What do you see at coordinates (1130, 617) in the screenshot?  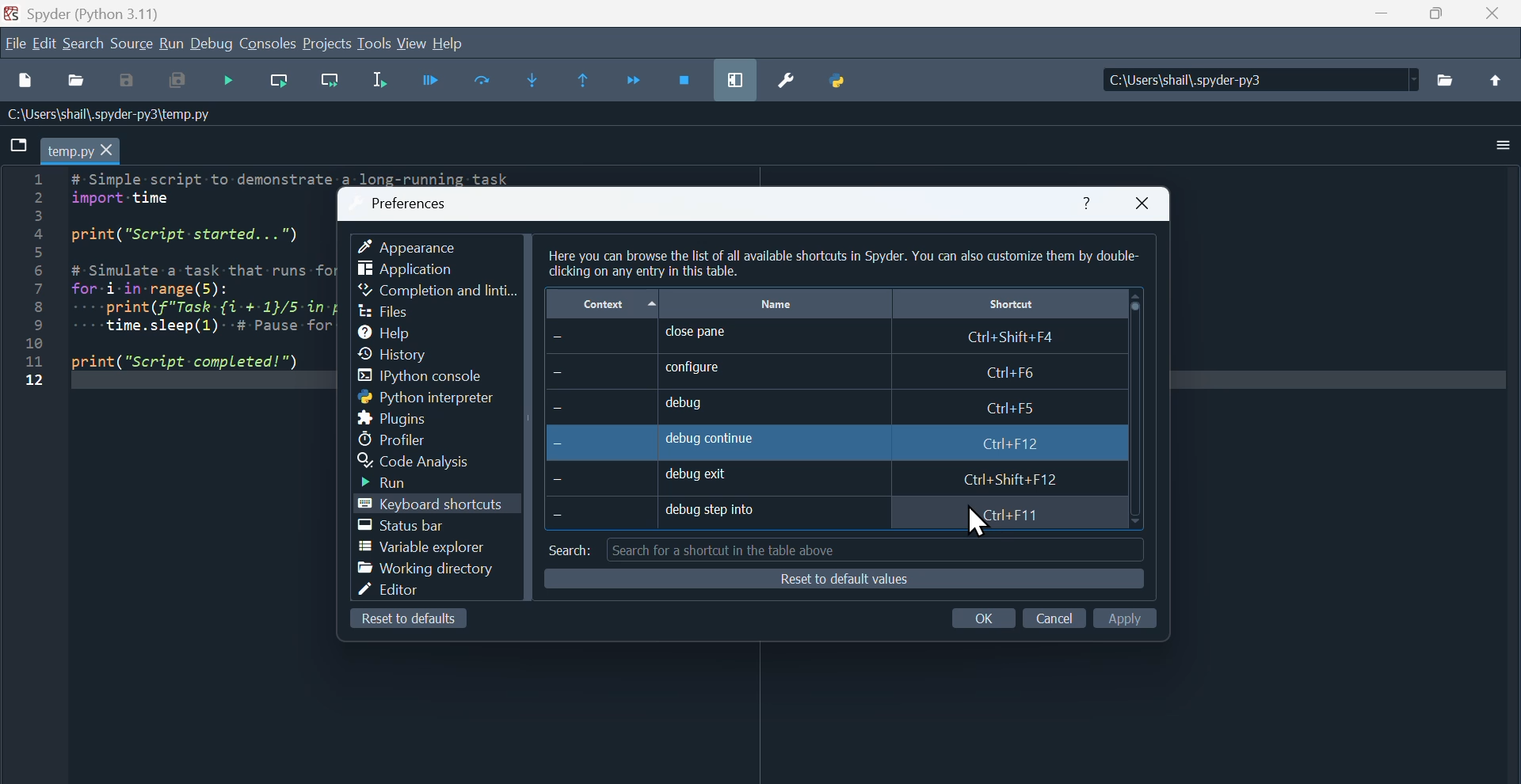 I see `` at bounding box center [1130, 617].